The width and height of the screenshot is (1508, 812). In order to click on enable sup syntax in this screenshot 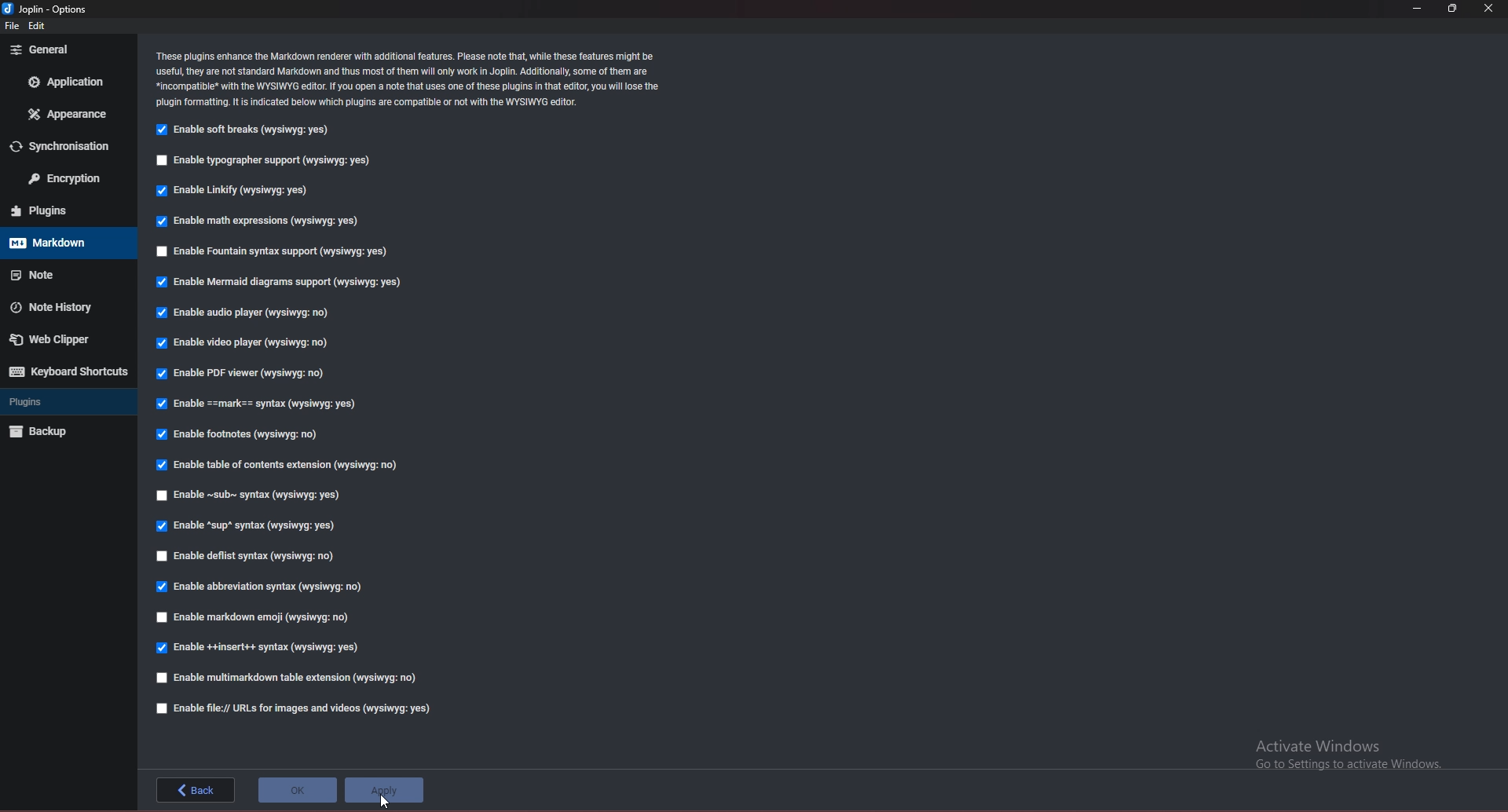, I will do `click(249, 525)`.